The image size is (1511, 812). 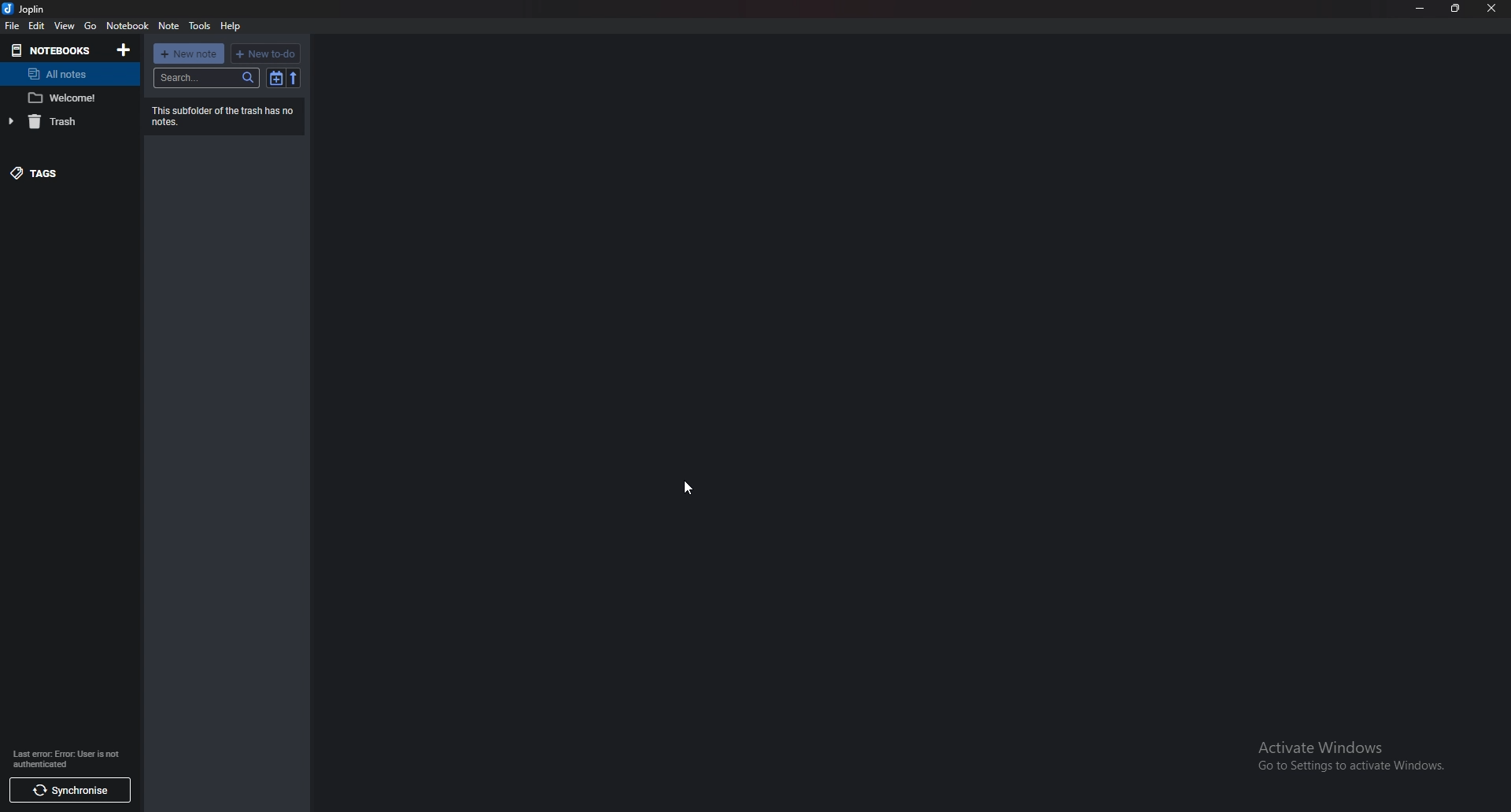 What do you see at coordinates (38, 27) in the screenshot?
I see `edit` at bounding box center [38, 27].